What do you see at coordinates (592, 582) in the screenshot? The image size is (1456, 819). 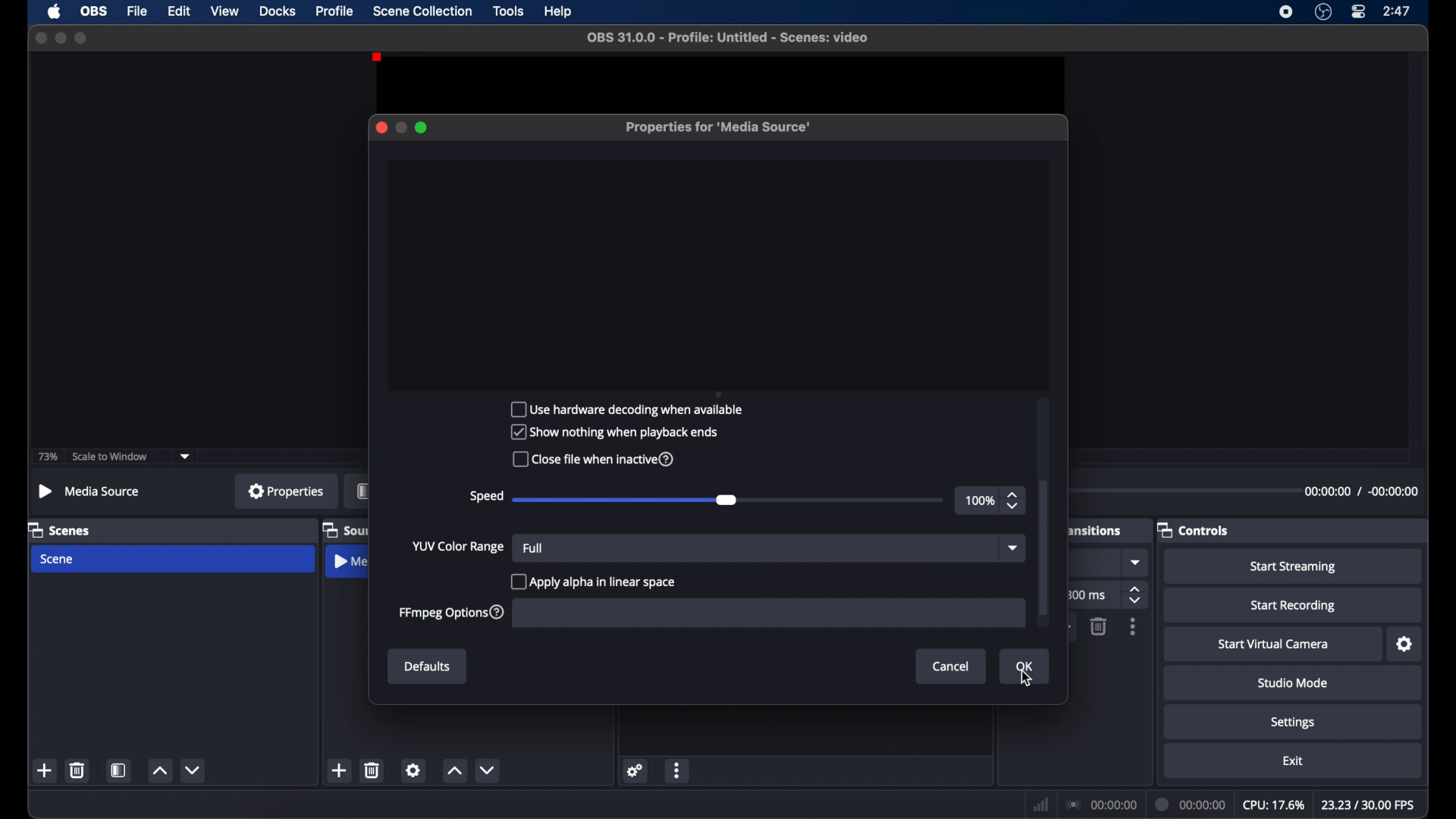 I see `checkbox` at bounding box center [592, 582].